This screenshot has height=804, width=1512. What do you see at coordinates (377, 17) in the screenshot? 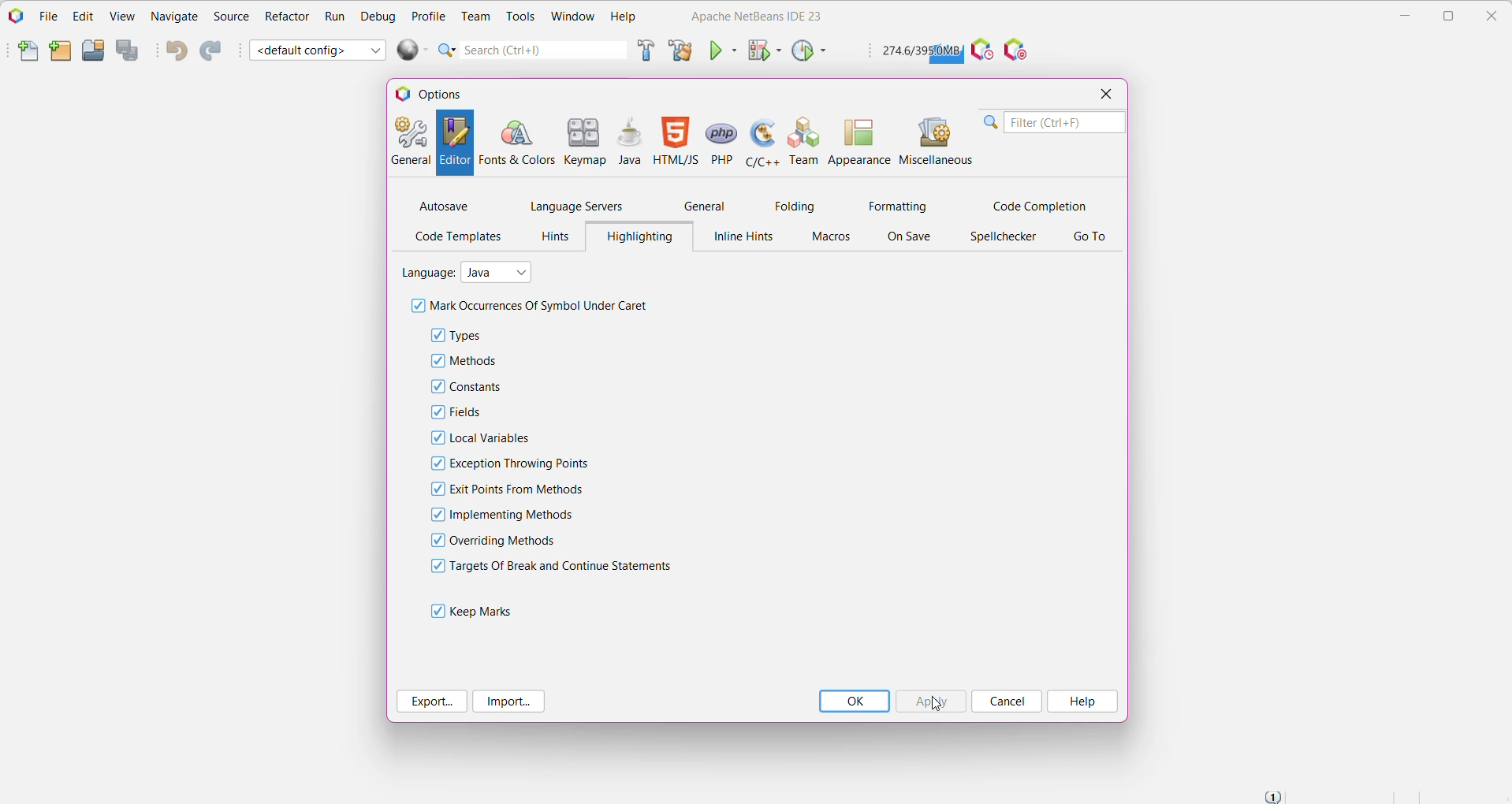
I see `Debug` at bounding box center [377, 17].